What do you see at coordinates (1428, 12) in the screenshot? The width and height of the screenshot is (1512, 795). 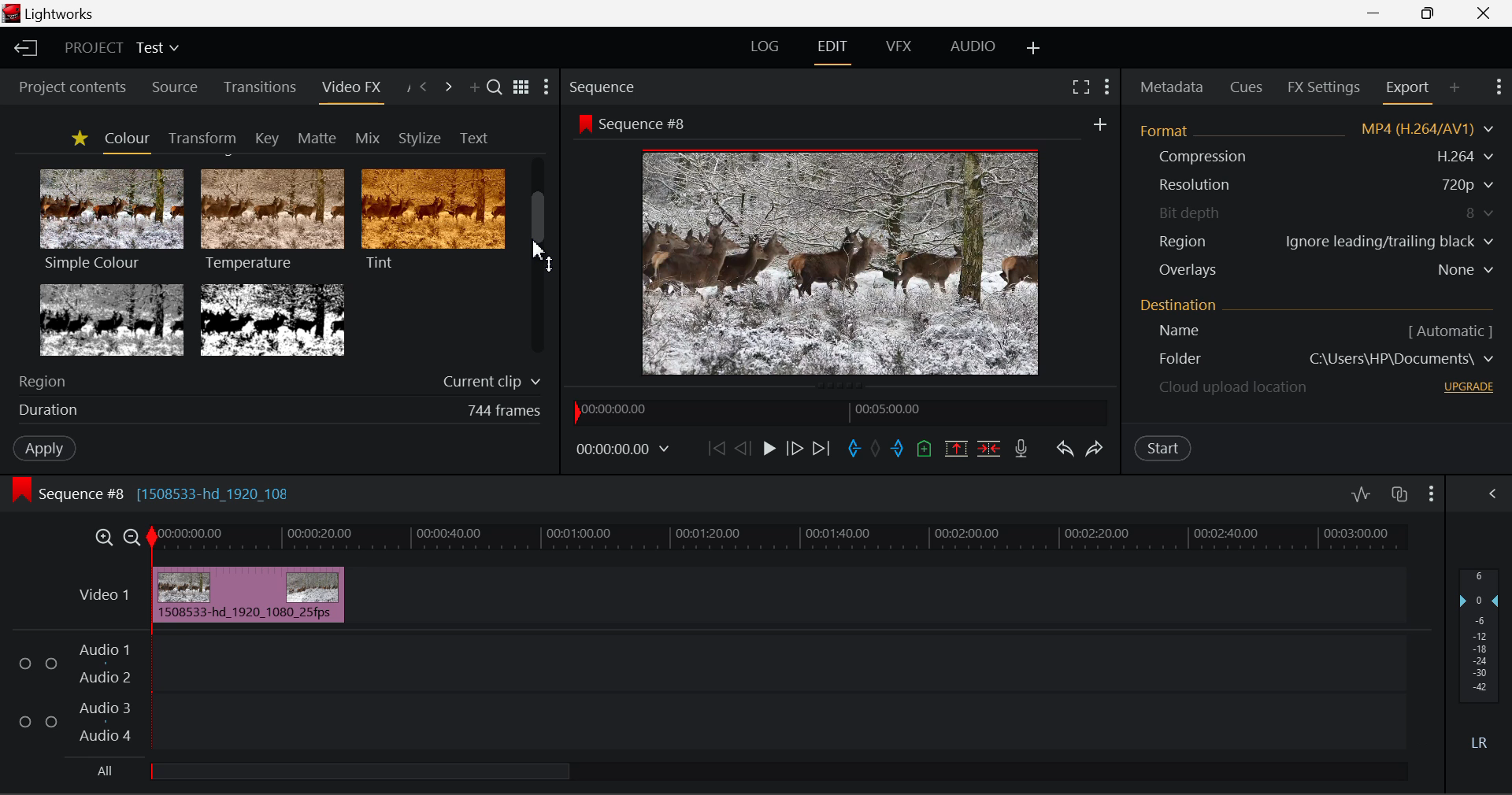 I see `Minimize` at bounding box center [1428, 12].